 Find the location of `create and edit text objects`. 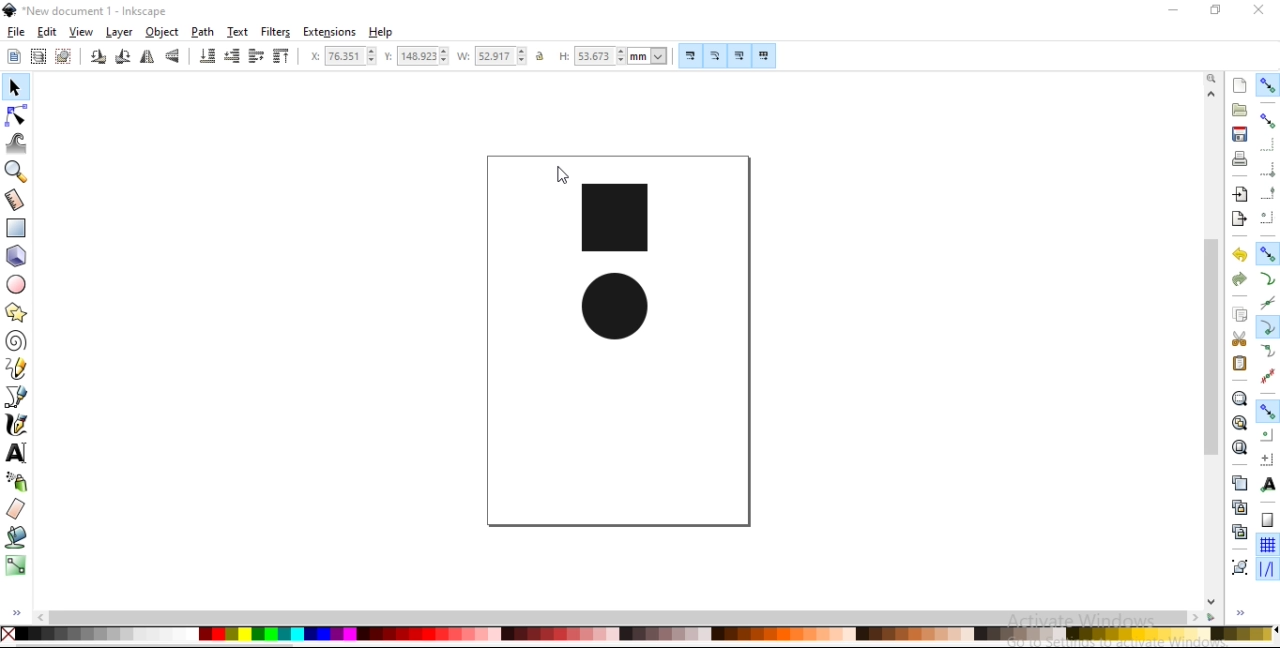

create and edit text objects is located at coordinates (16, 452).